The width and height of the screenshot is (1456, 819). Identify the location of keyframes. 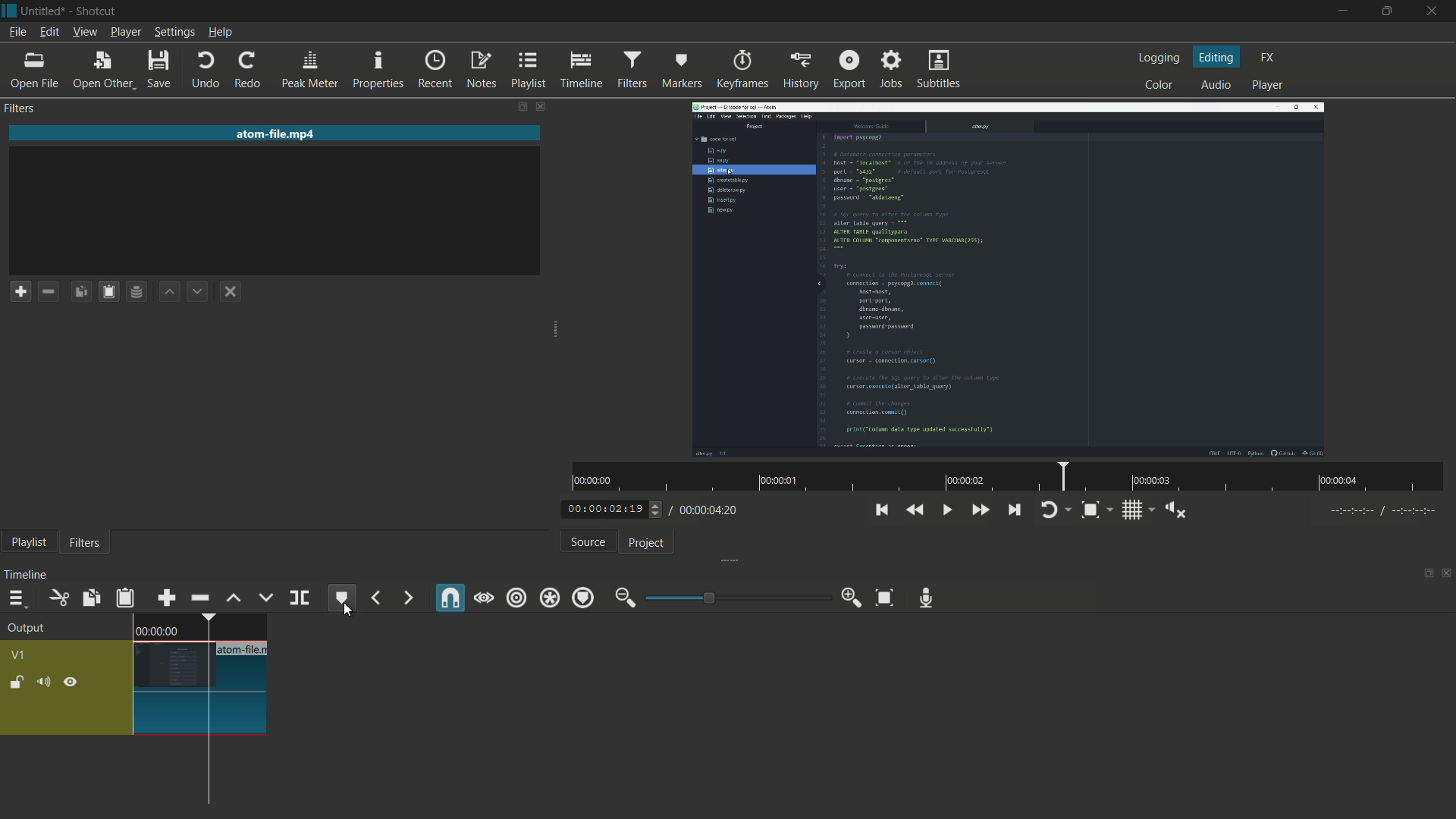
(740, 71).